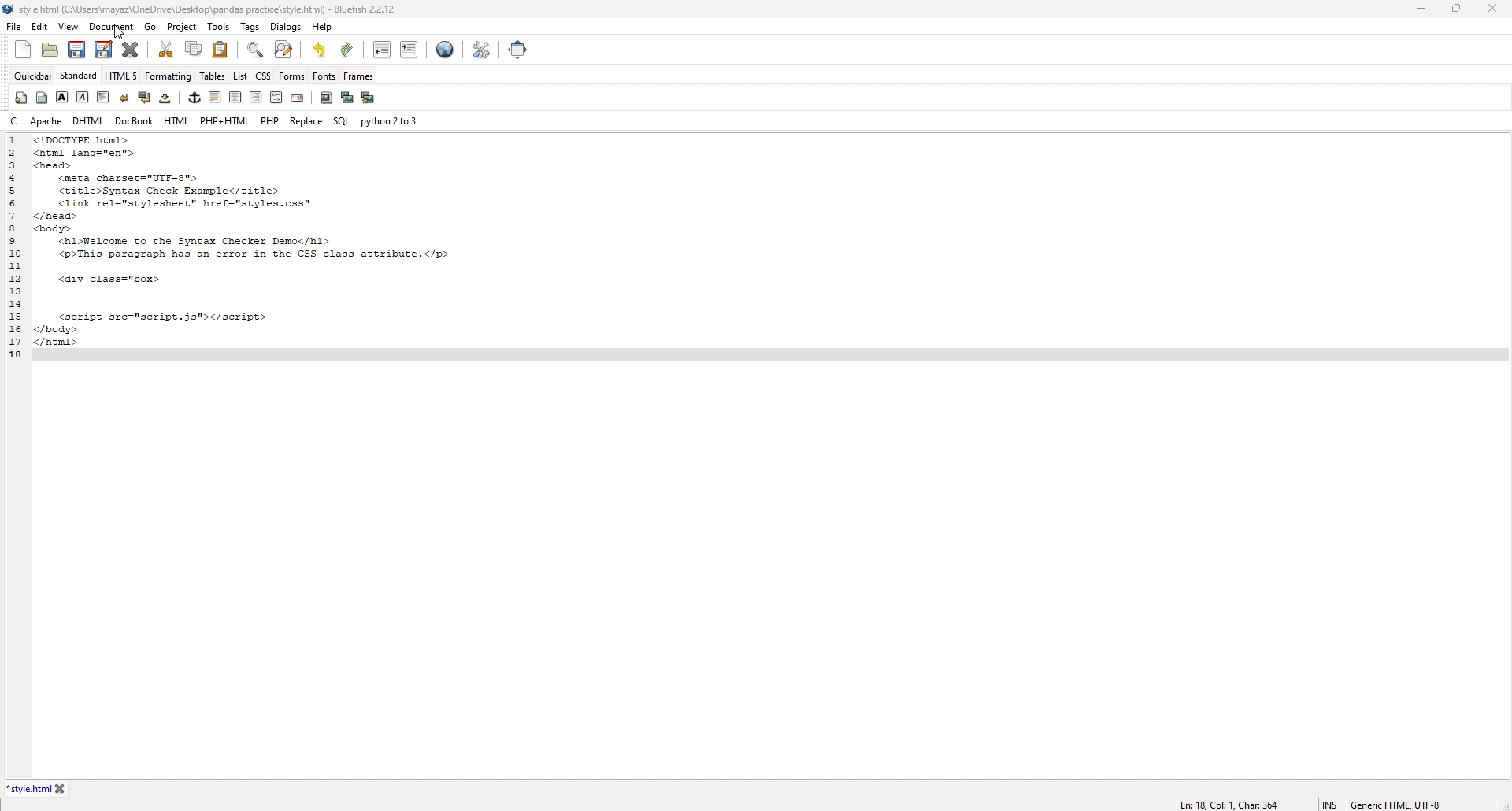 The height and width of the screenshot is (811, 1512). What do you see at coordinates (83, 98) in the screenshot?
I see `italic` at bounding box center [83, 98].